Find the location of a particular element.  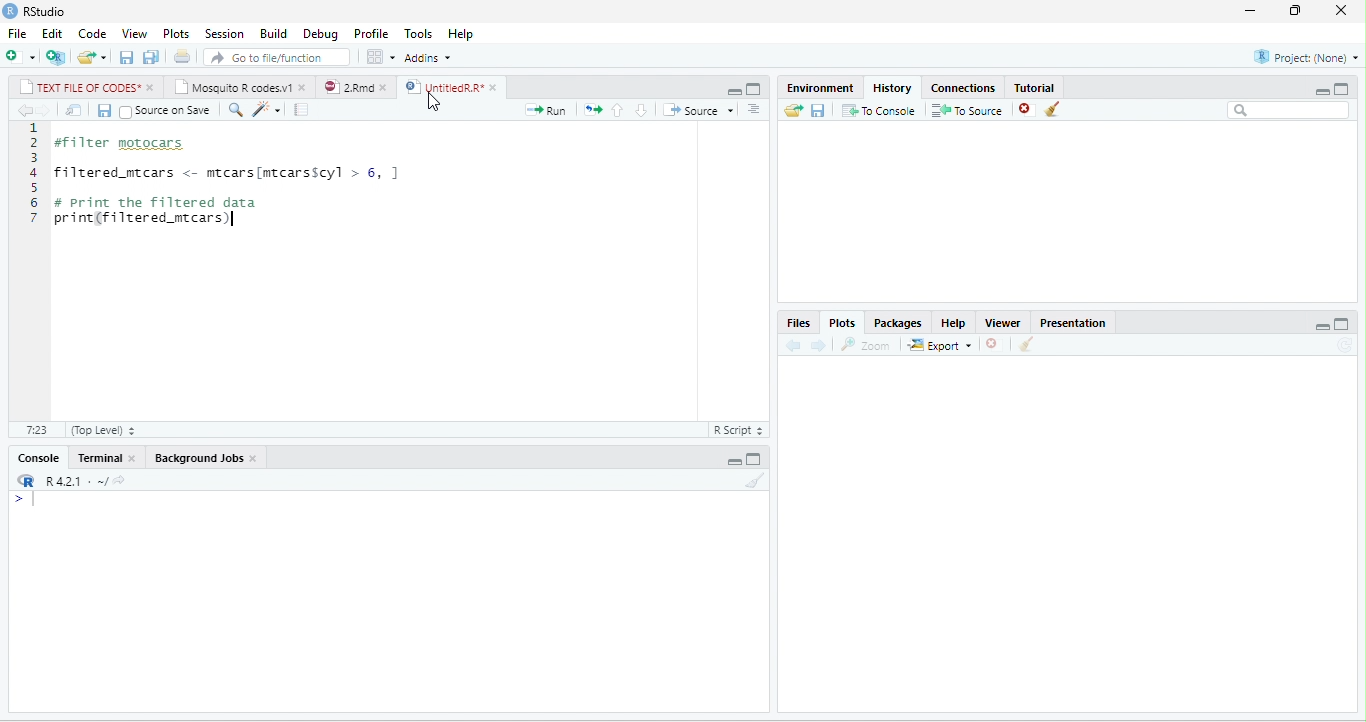

print is located at coordinates (182, 56).